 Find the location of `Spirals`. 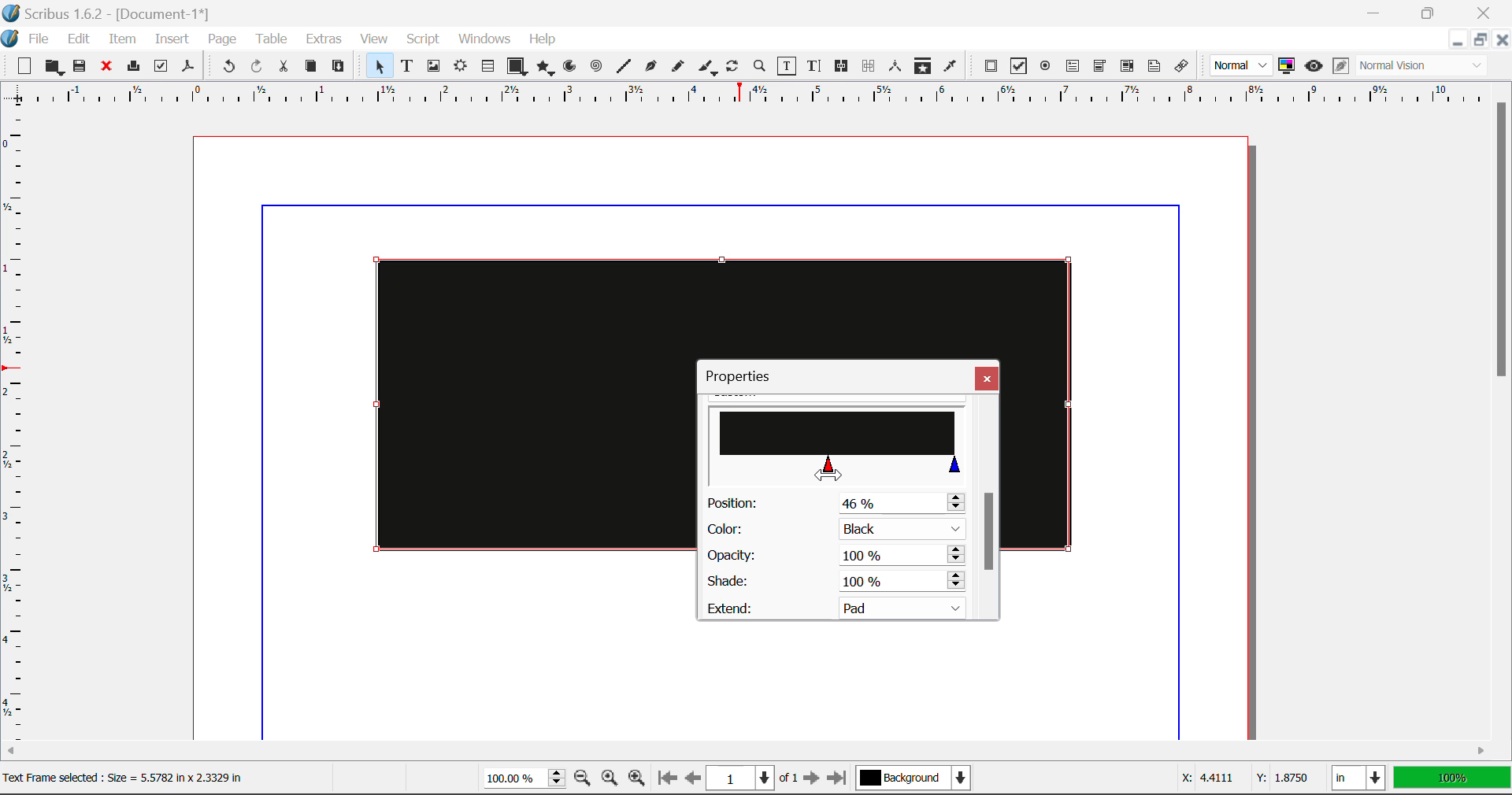

Spirals is located at coordinates (595, 68).